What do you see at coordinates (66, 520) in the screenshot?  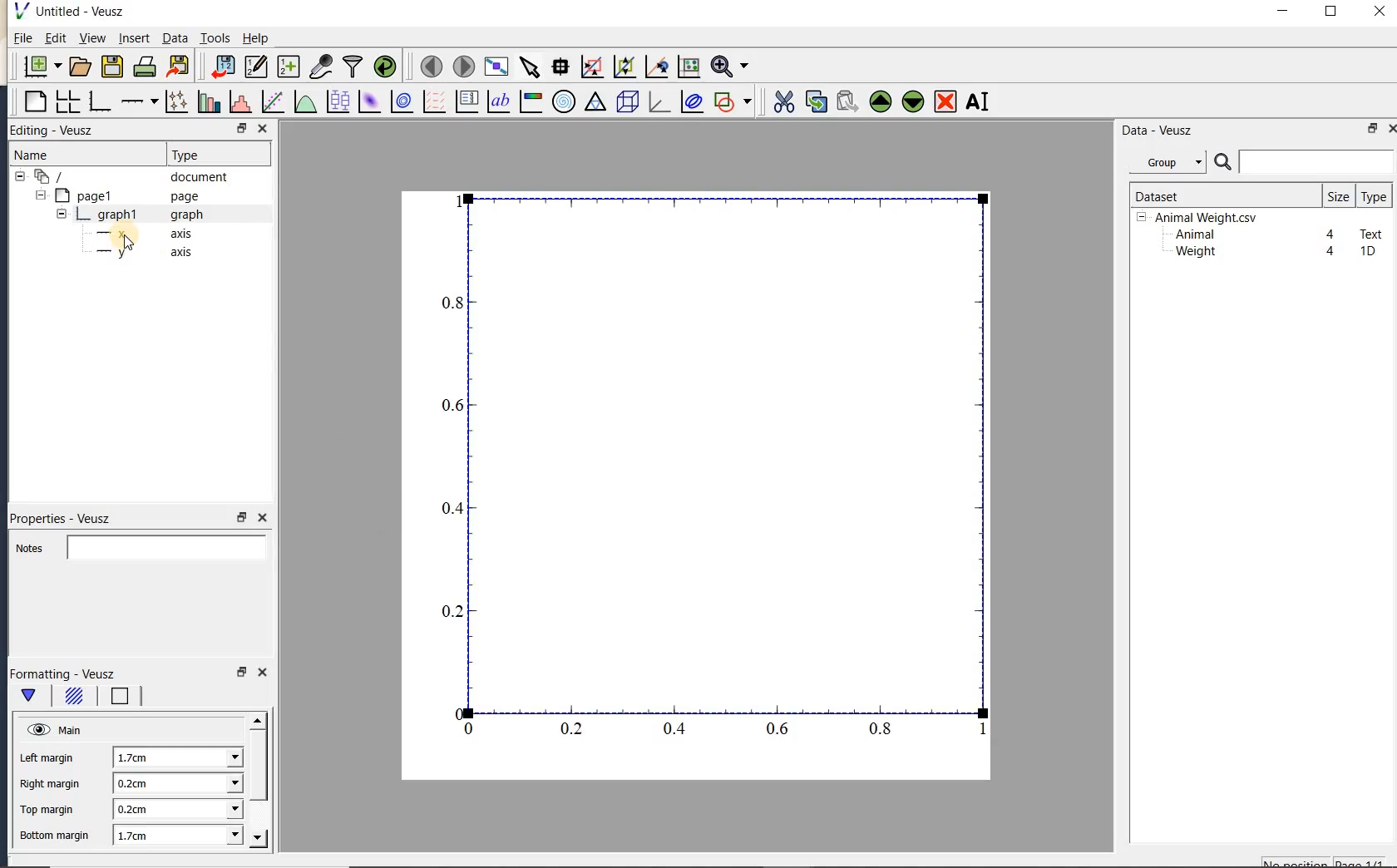 I see `Properties - Veusz` at bounding box center [66, 520].